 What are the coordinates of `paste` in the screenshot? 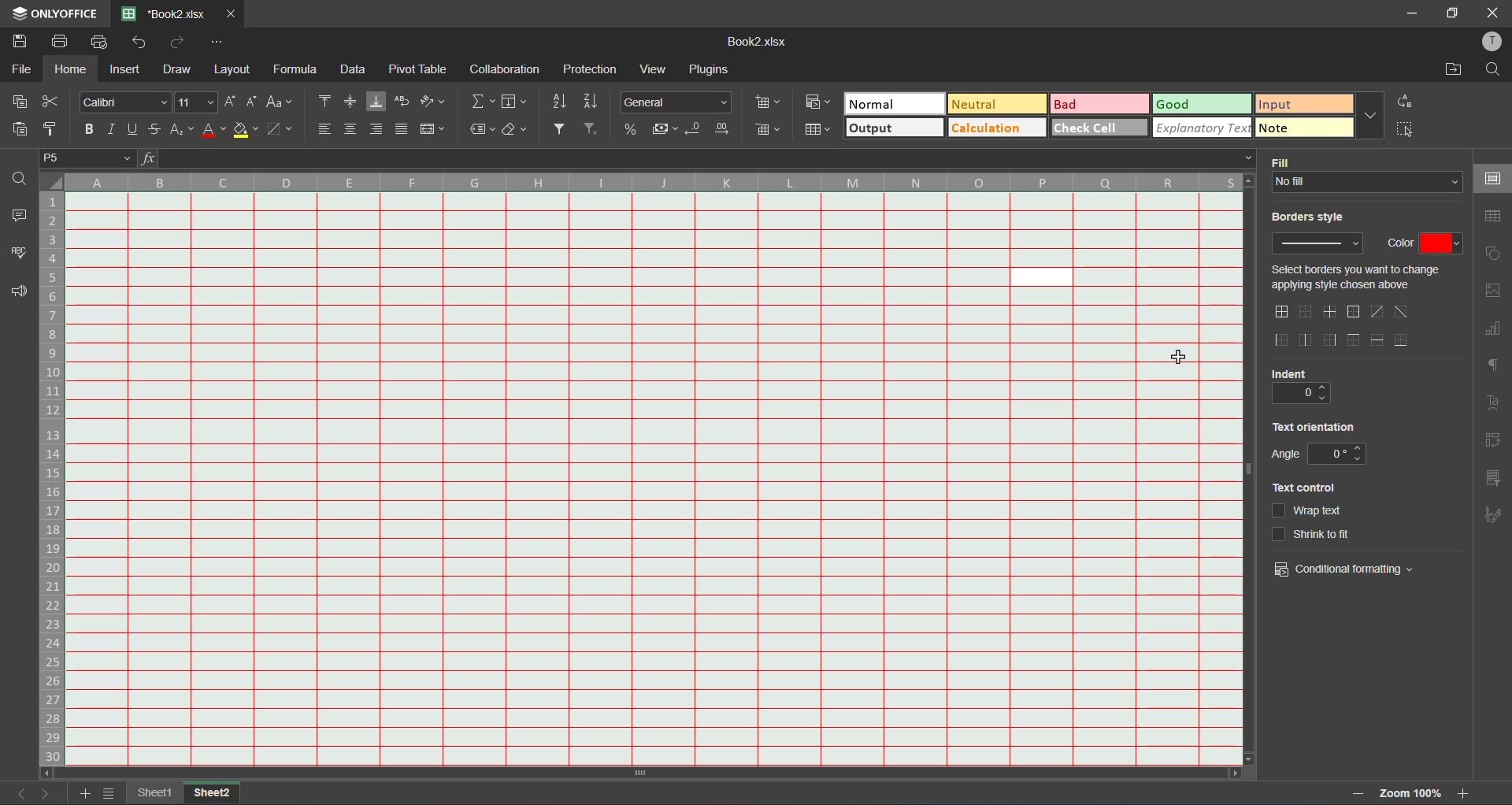 It's located at (17, 131).